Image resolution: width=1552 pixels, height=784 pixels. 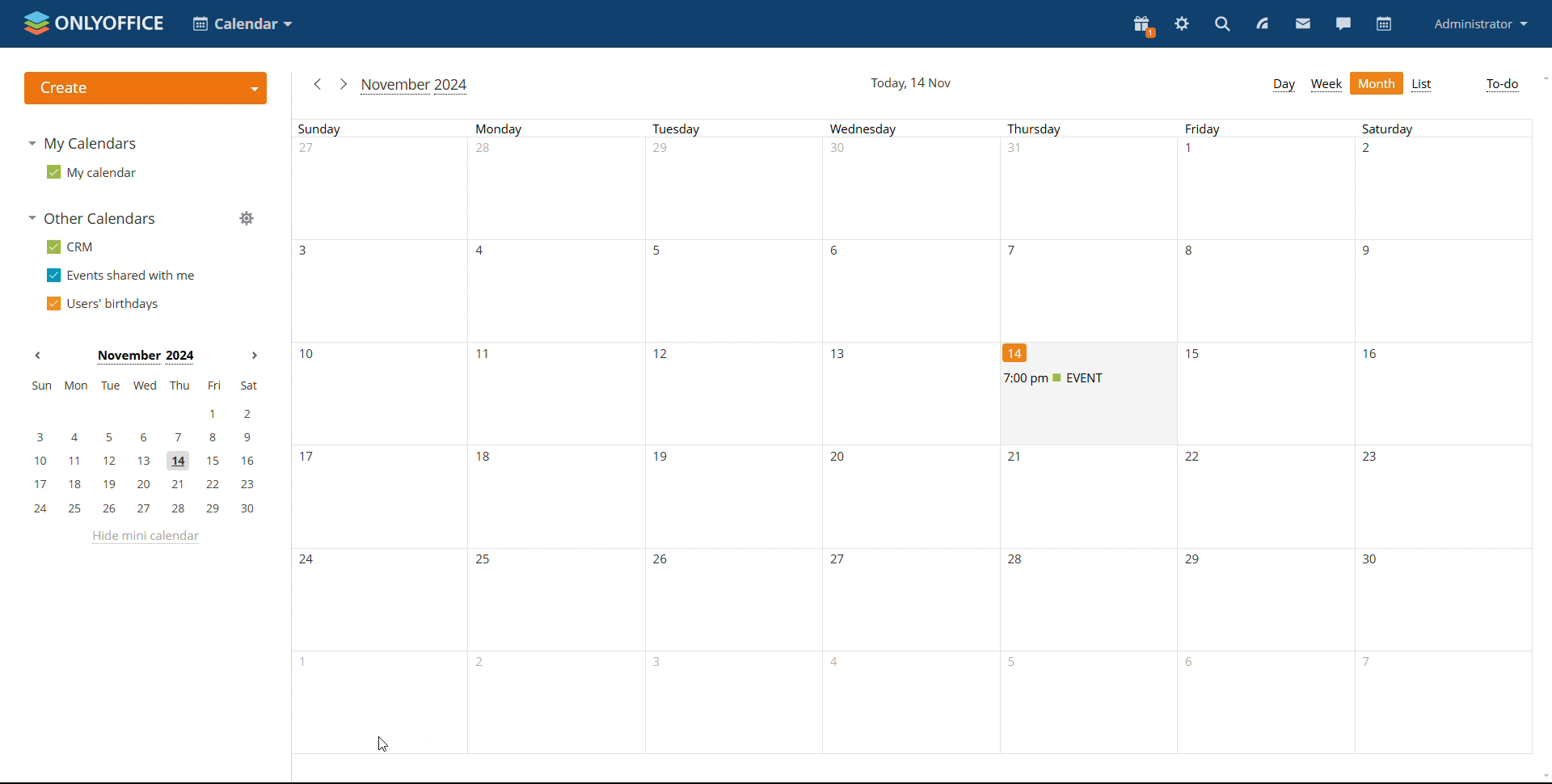 What do you see at coordinates (38, 355) in the screenshot?
I see `previous month` at bounding box center [38, 355].